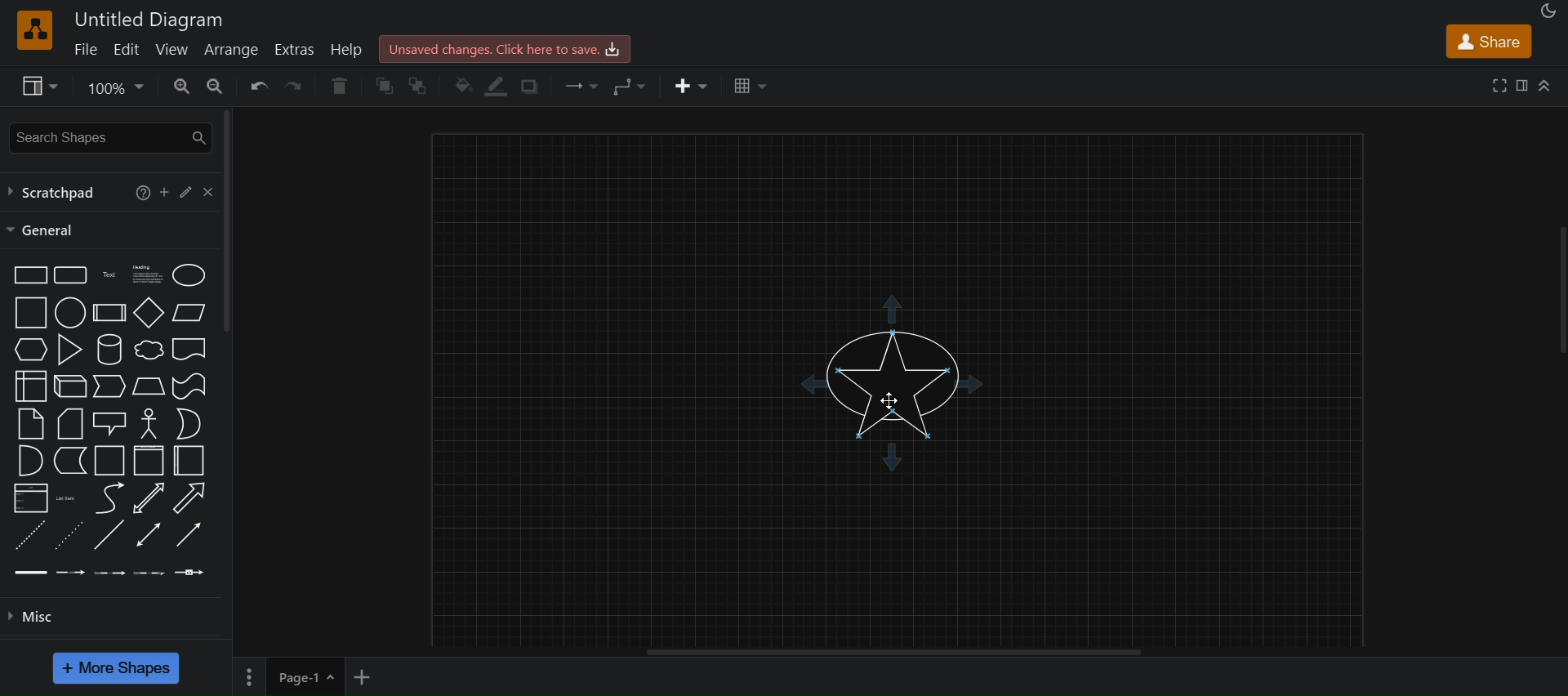 This screenshot has height=696, width=1568. What do you see at coordinates (1492, 42) in the screenshot?
I see `share` at bounding box center [1492, 42].